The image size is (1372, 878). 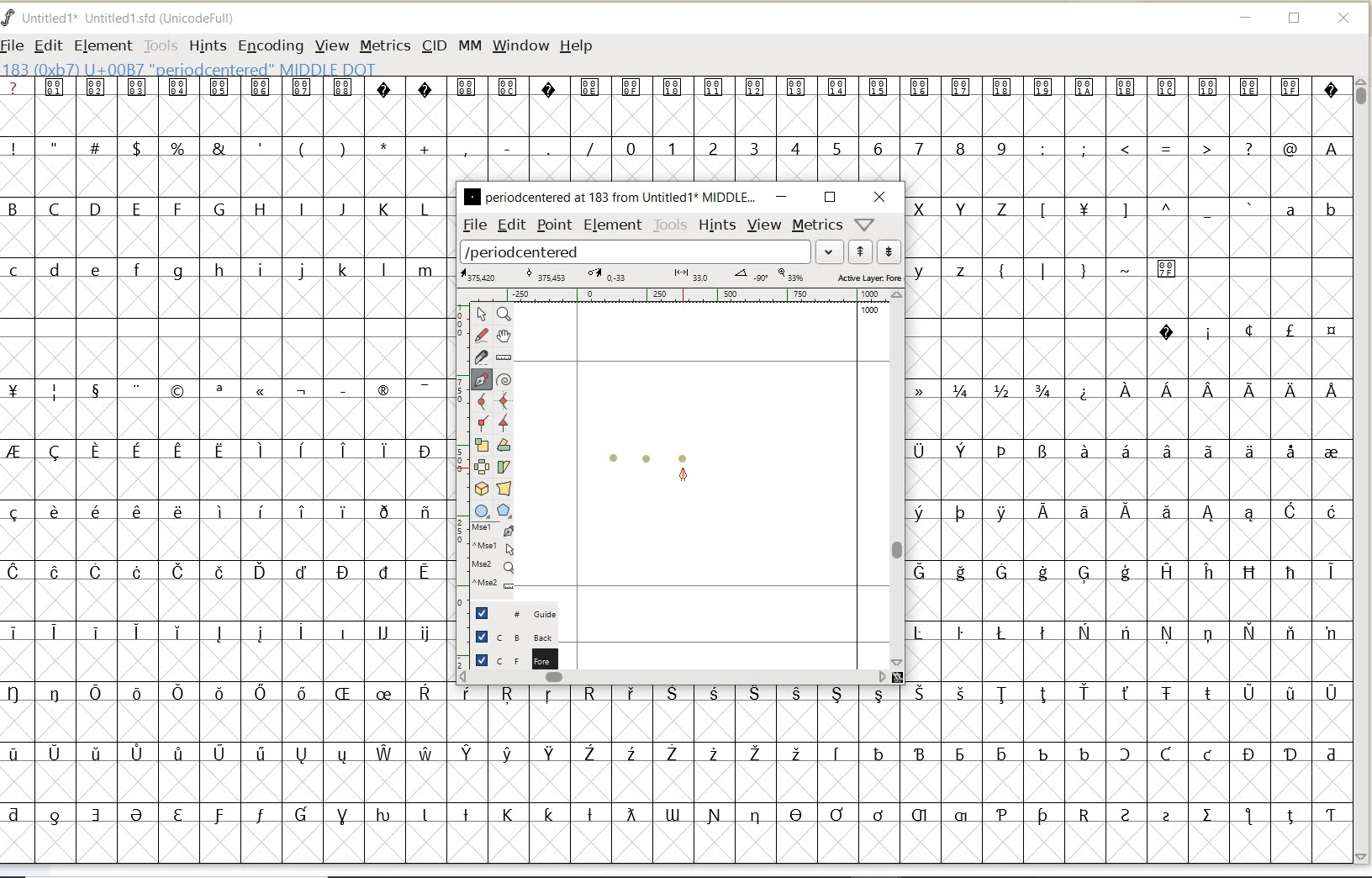 I want to click on hints, so click(x=718, y=225).